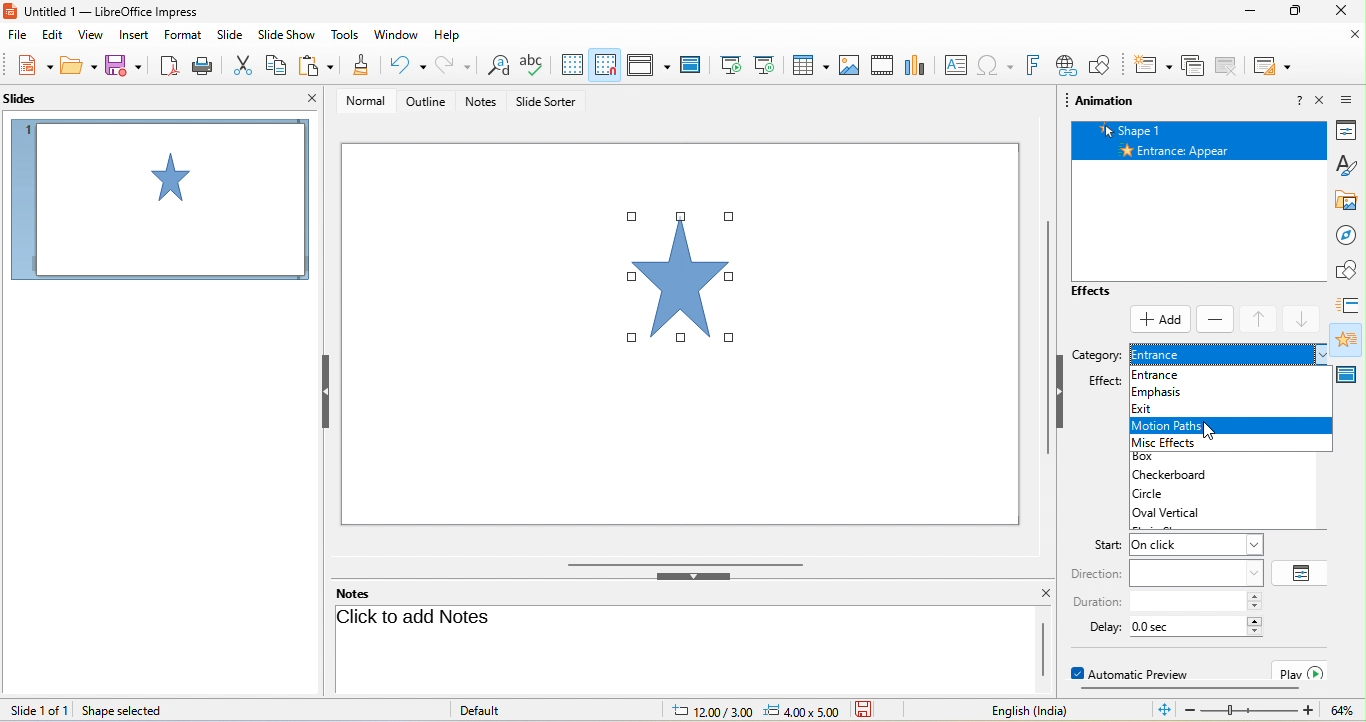  Describe the element at coordinates (39, 710) in the screenshot. I see `slide 1 of 1` at that location.